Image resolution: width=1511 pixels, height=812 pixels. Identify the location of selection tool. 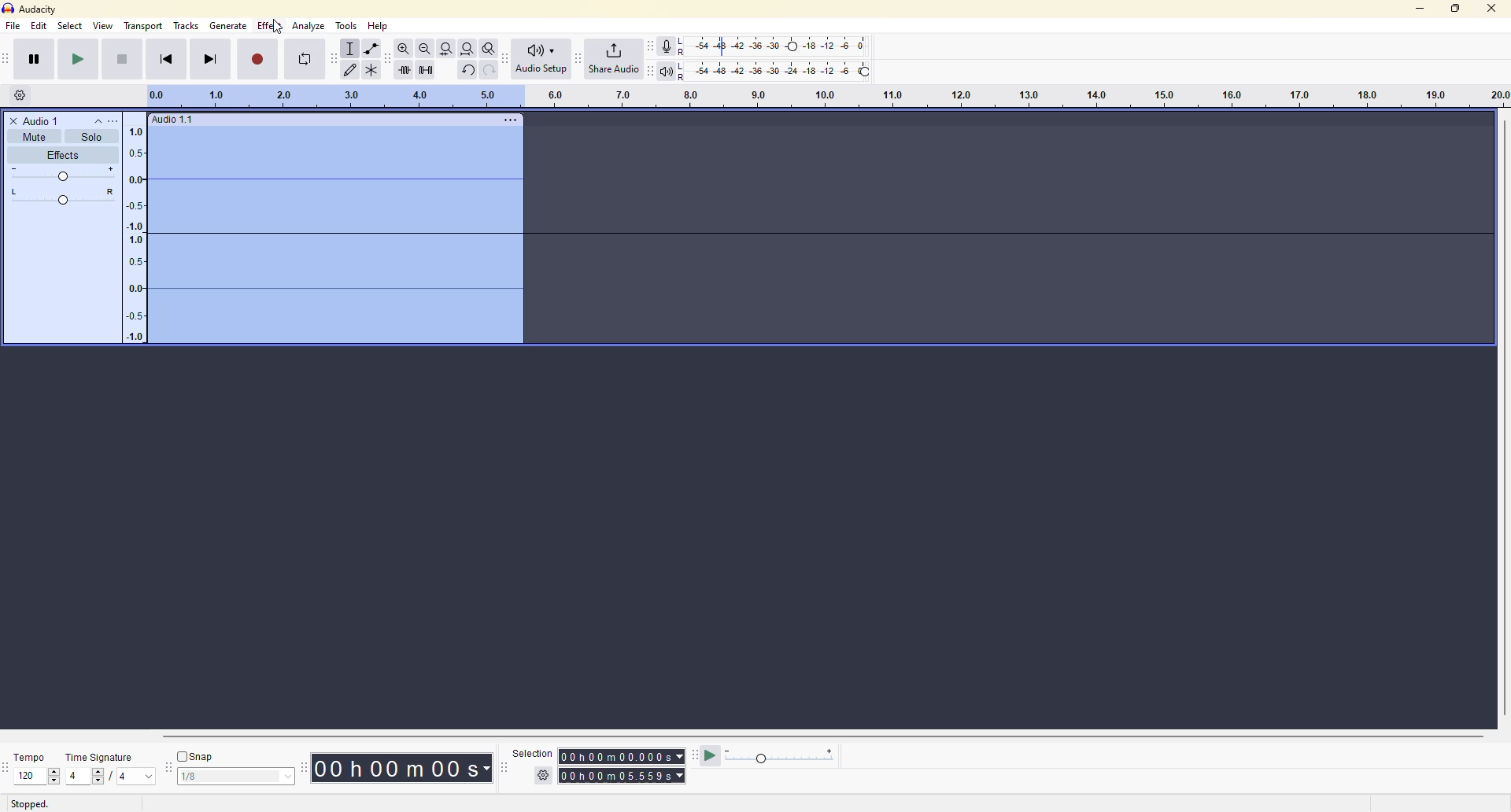
(351, 49).